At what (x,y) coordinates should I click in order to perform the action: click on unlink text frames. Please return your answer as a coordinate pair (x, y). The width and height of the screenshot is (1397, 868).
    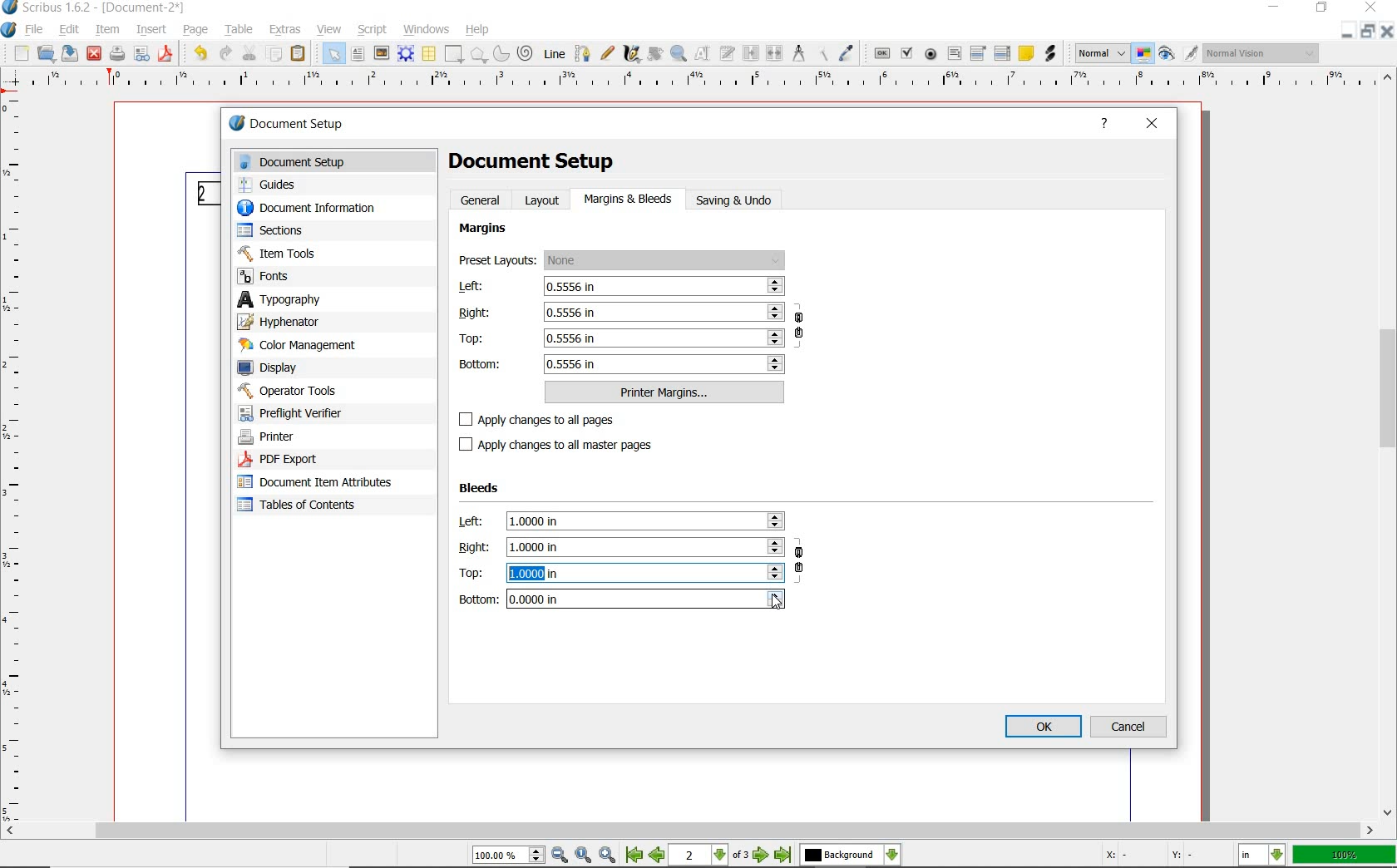
    Looking at the image, I should click on (774, 53).